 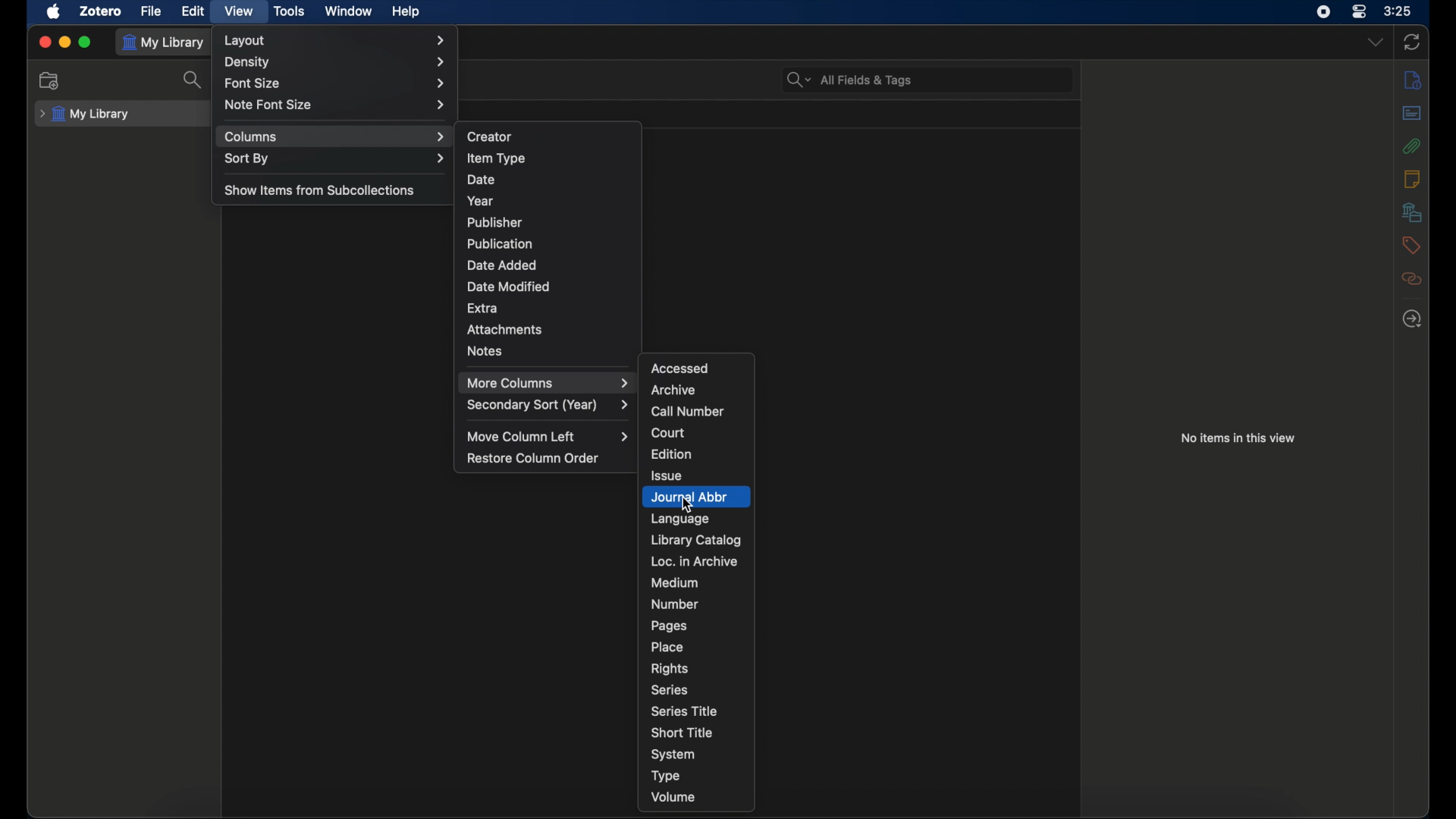 What do you see at coordinates (502, 265) in the screenshot?
I see `date added` at bounding box center [502, 265].